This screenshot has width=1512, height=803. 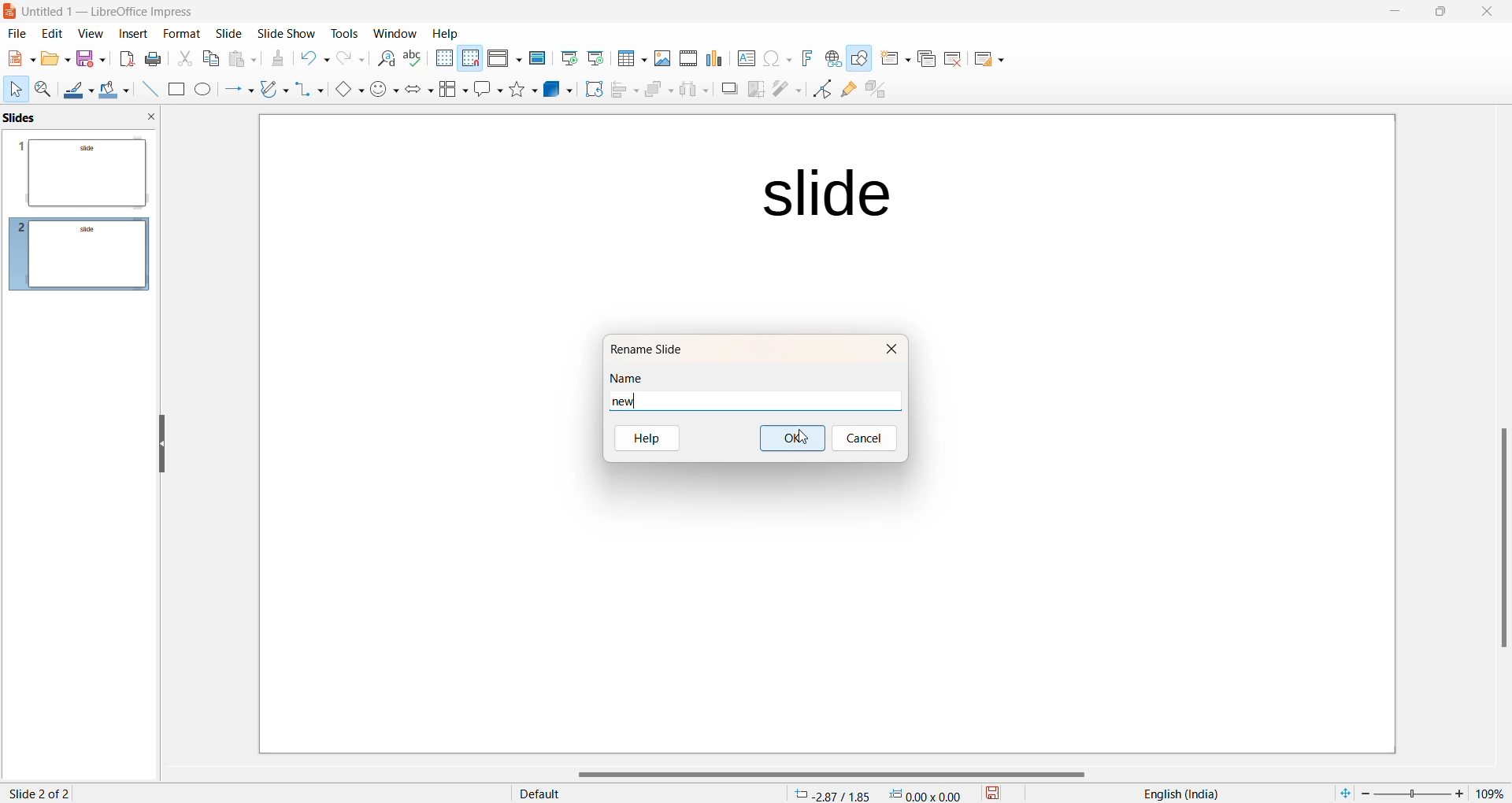 I want to click on dimension 0.00*0.00, so click(x=929, y=794).